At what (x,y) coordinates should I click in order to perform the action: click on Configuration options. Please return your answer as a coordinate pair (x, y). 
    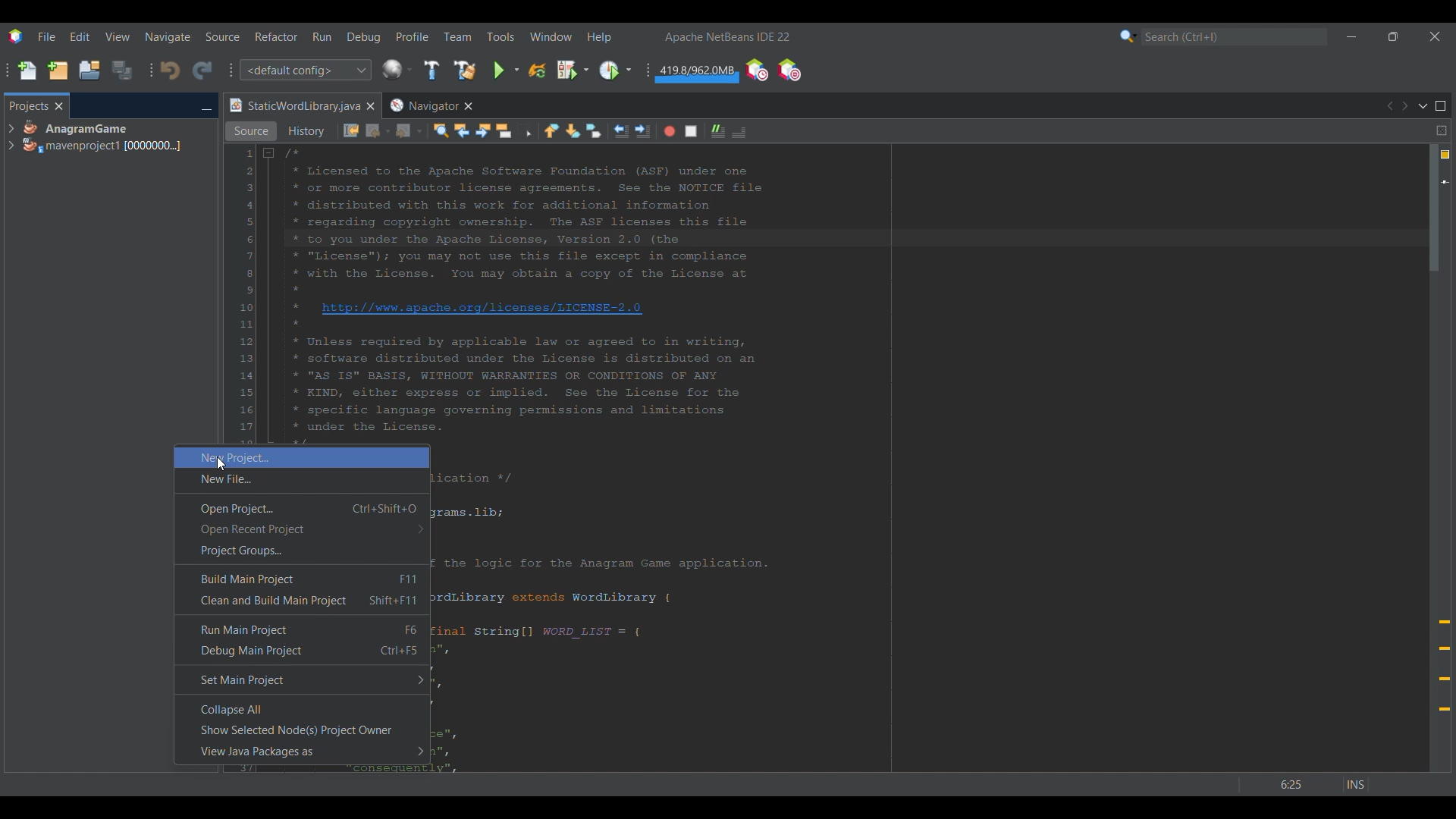
    Looking at the image, I should click on (305, 70).